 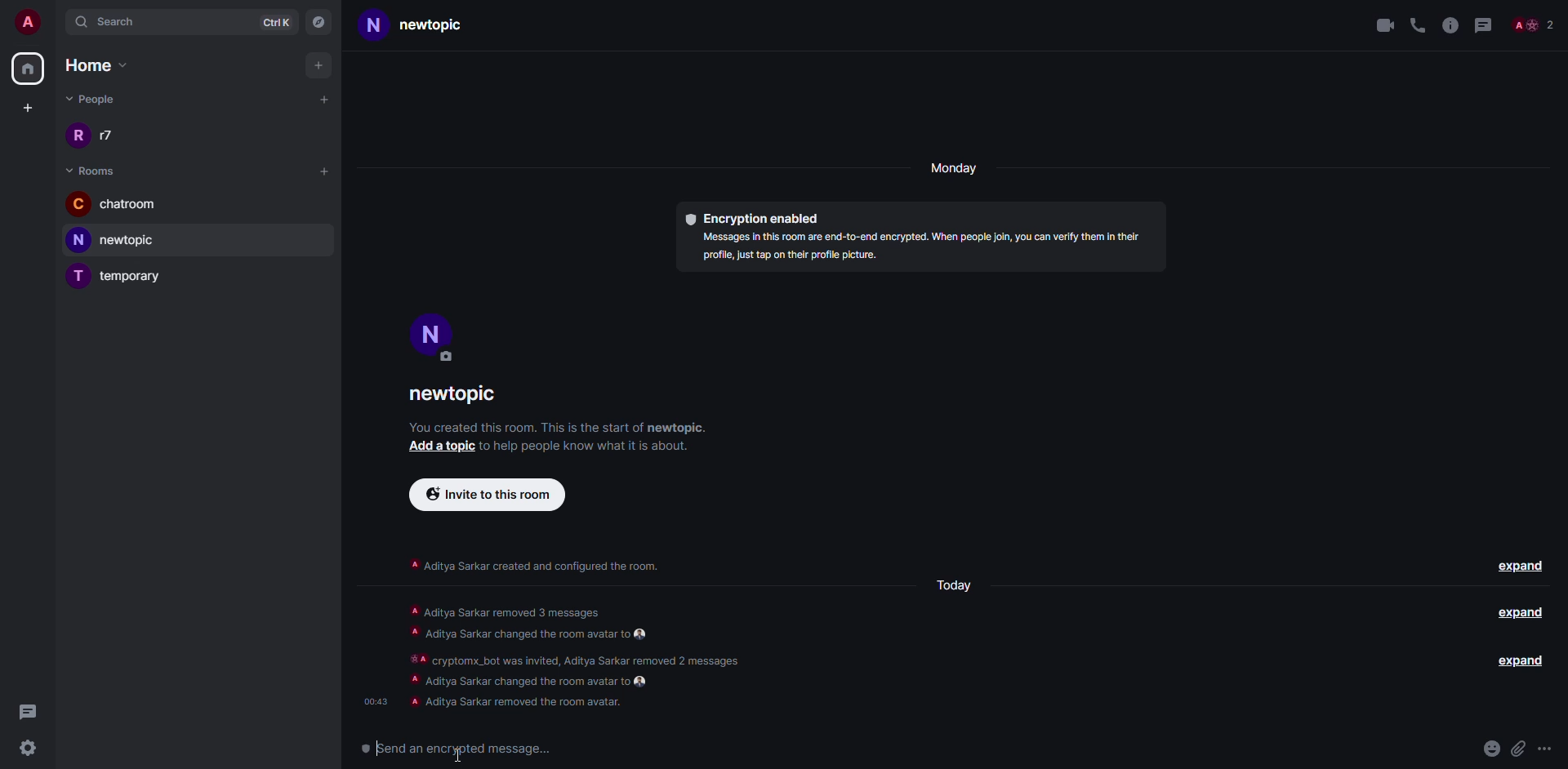 I want to click on people, so click(x=94, y=99).